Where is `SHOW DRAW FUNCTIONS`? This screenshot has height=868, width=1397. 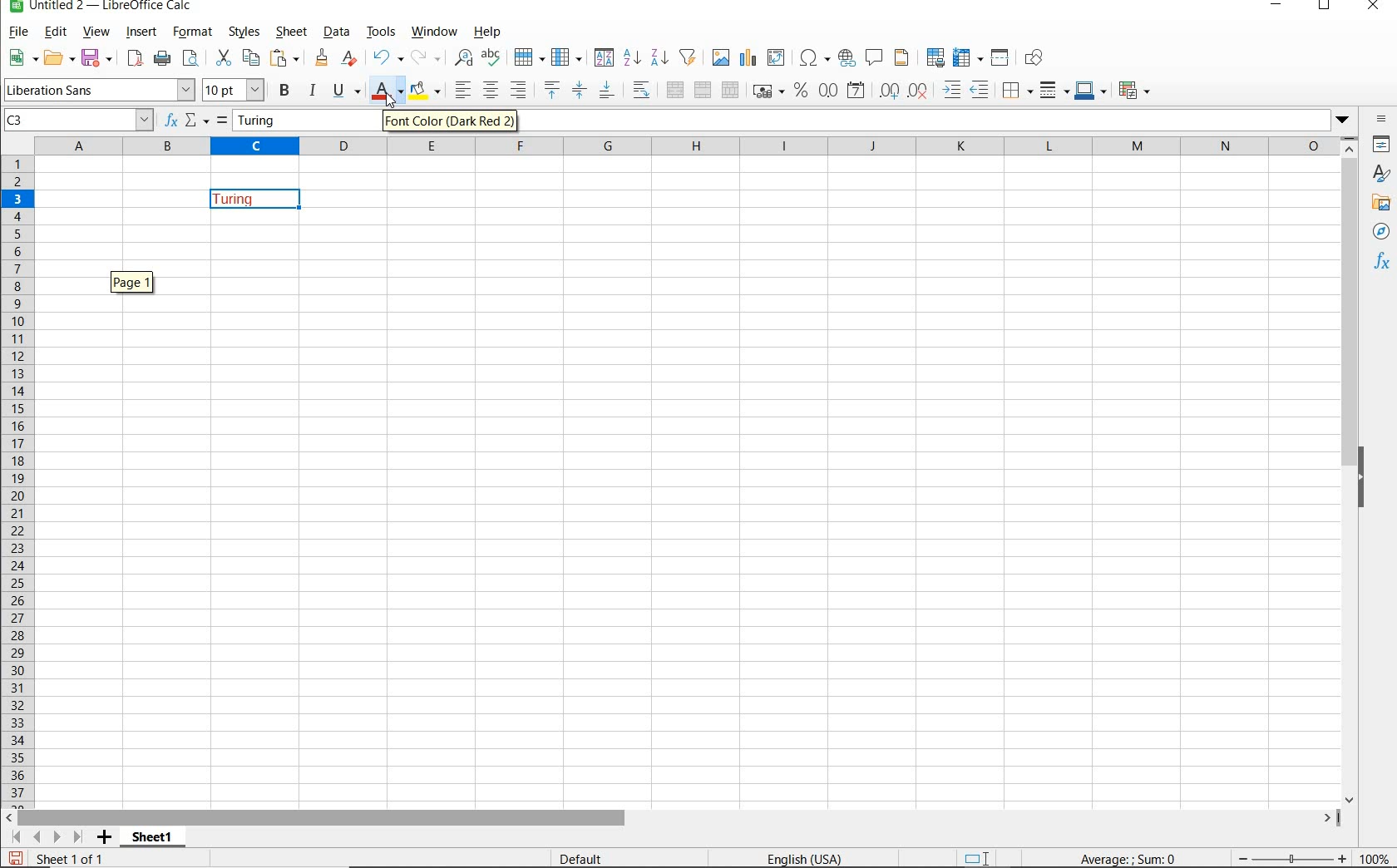 SHOW DRAW FUNCTIONS is located at coordinates (1034, 57).